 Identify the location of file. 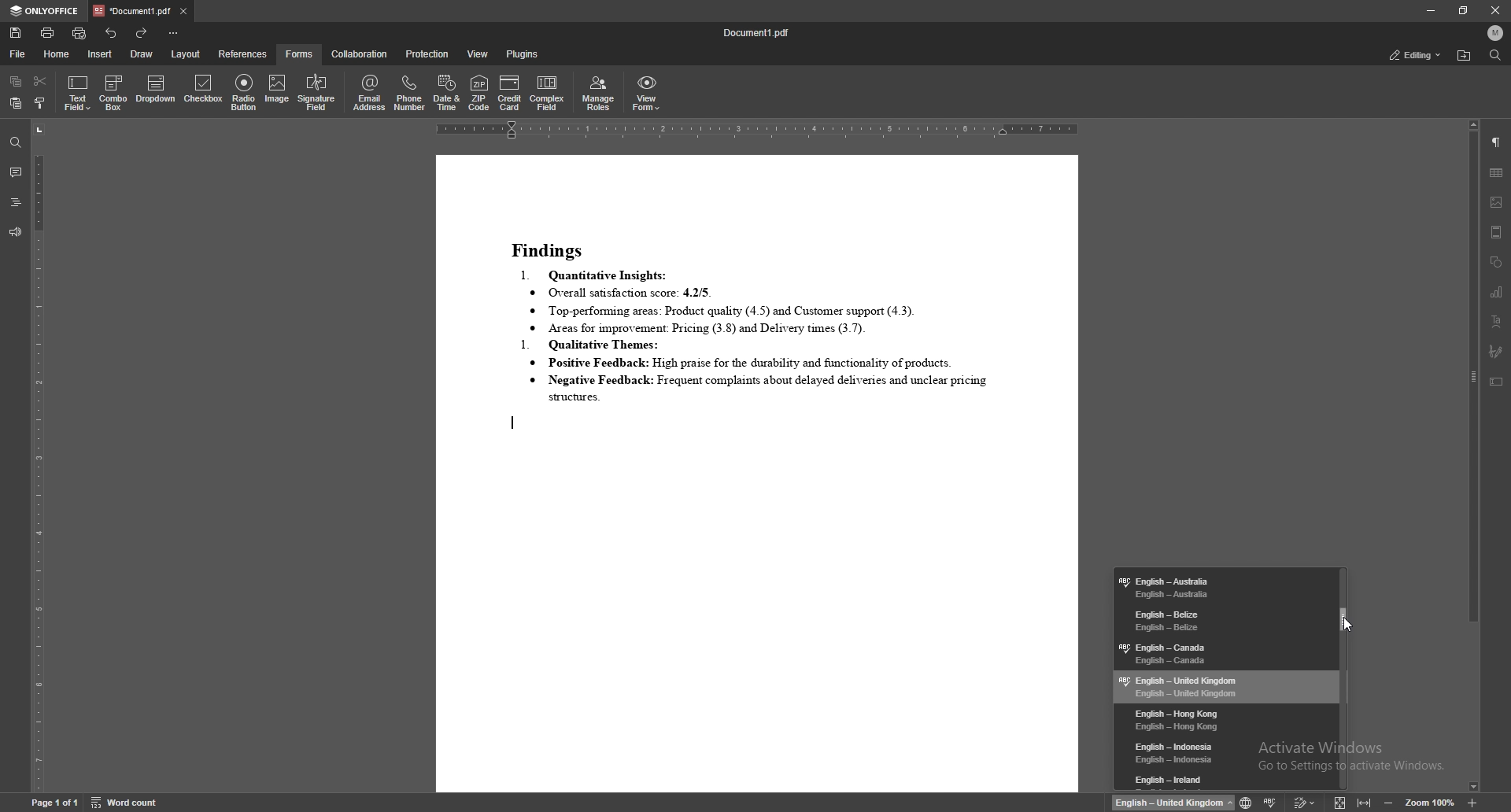
(18, 54).